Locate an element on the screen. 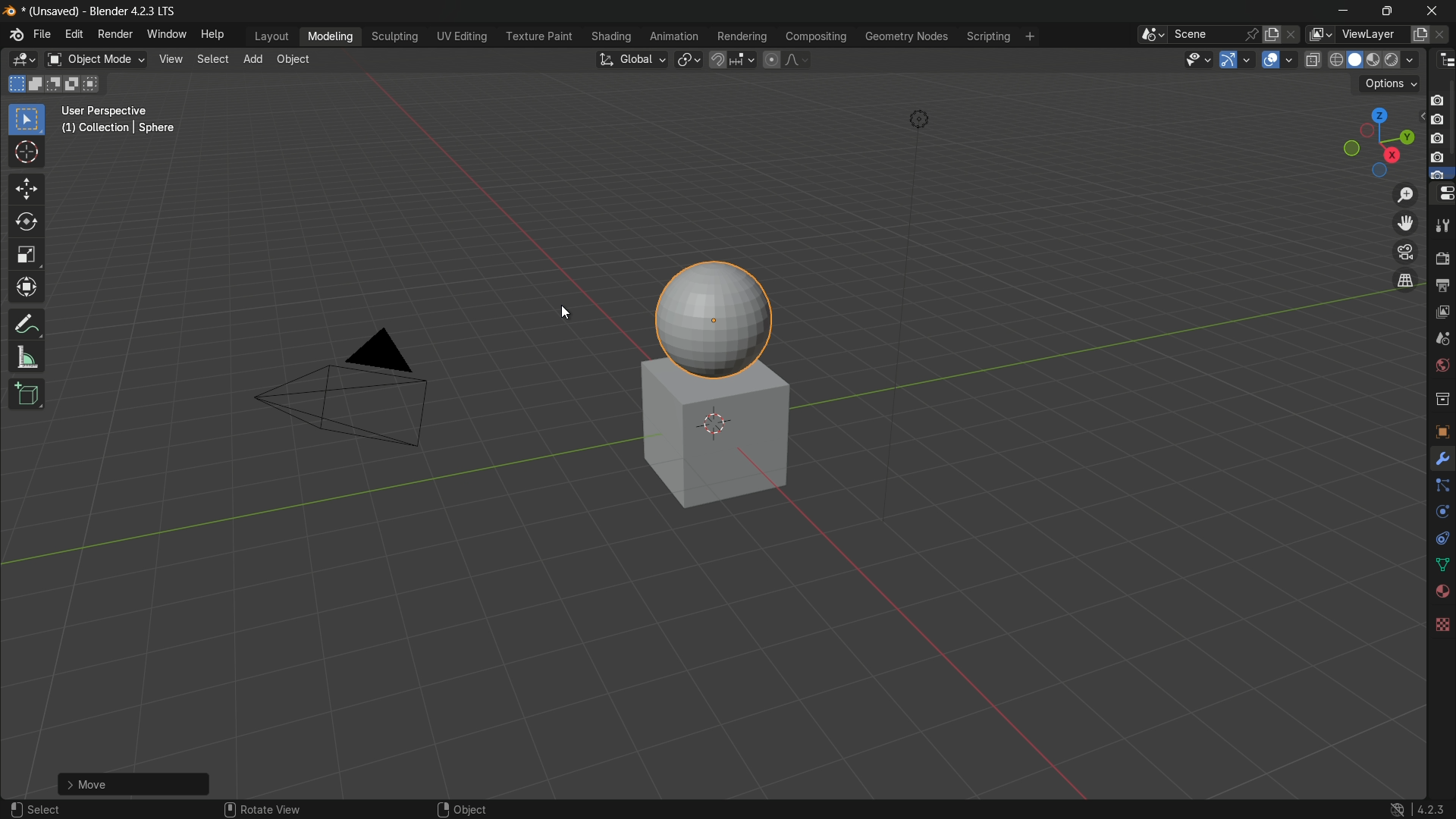 The width and height of the screenshot is (1456, 819). material preview display is located at coordinates (1375, 58).